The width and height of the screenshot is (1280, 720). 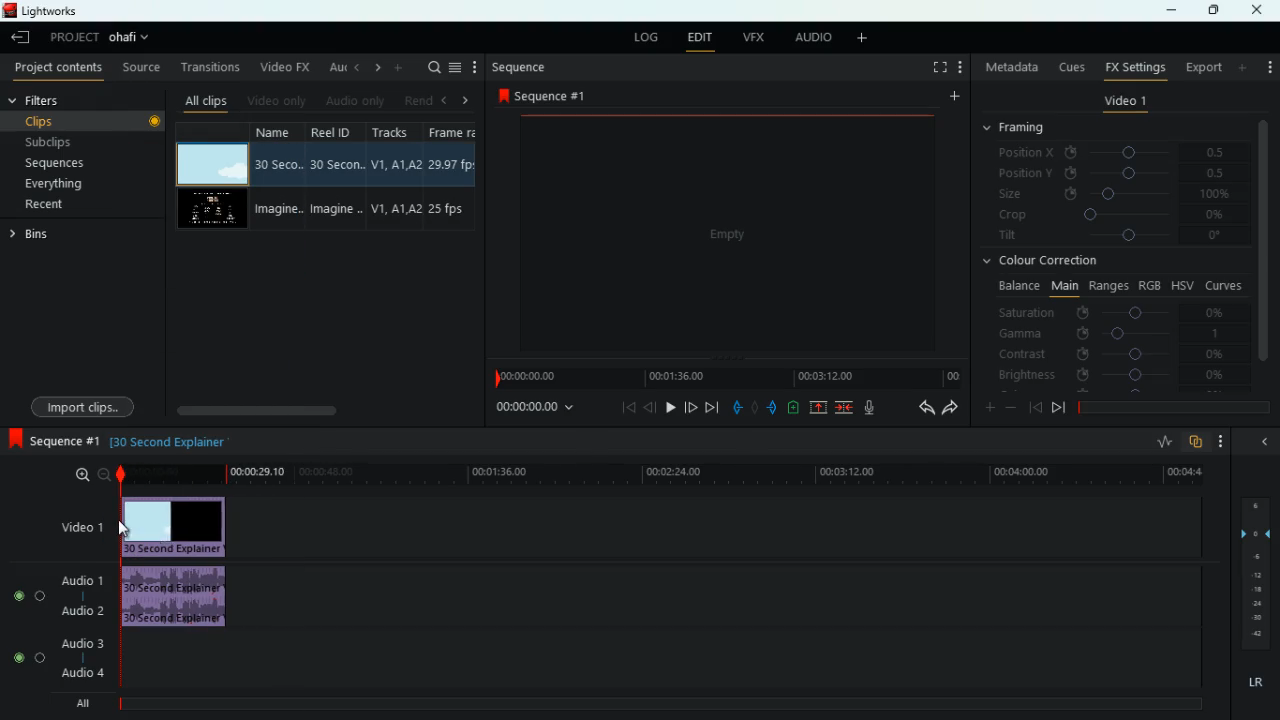 I want to click on timeline, so click(x=725, y=377).